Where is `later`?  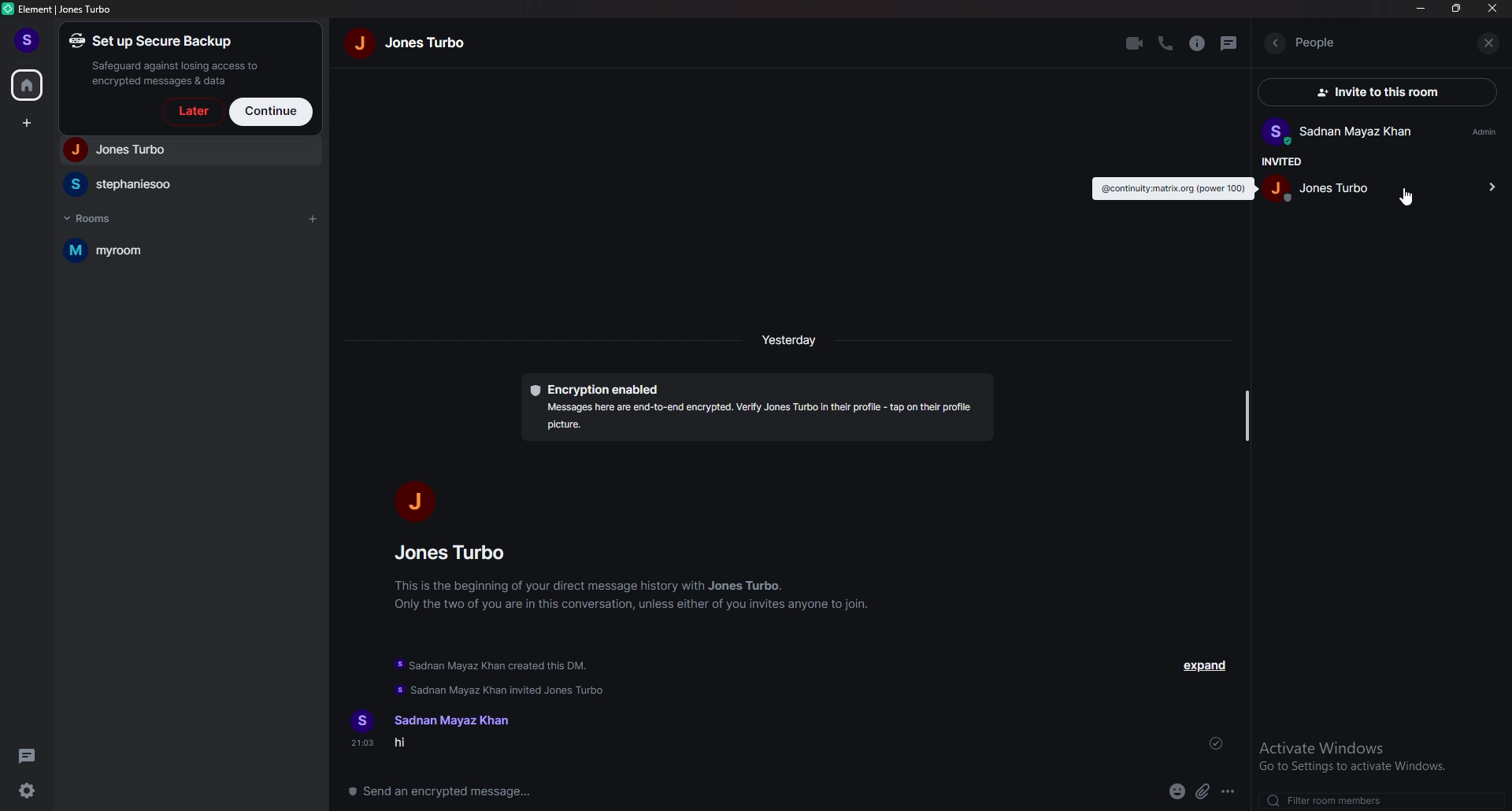 later is located at coordinates (191, 112).